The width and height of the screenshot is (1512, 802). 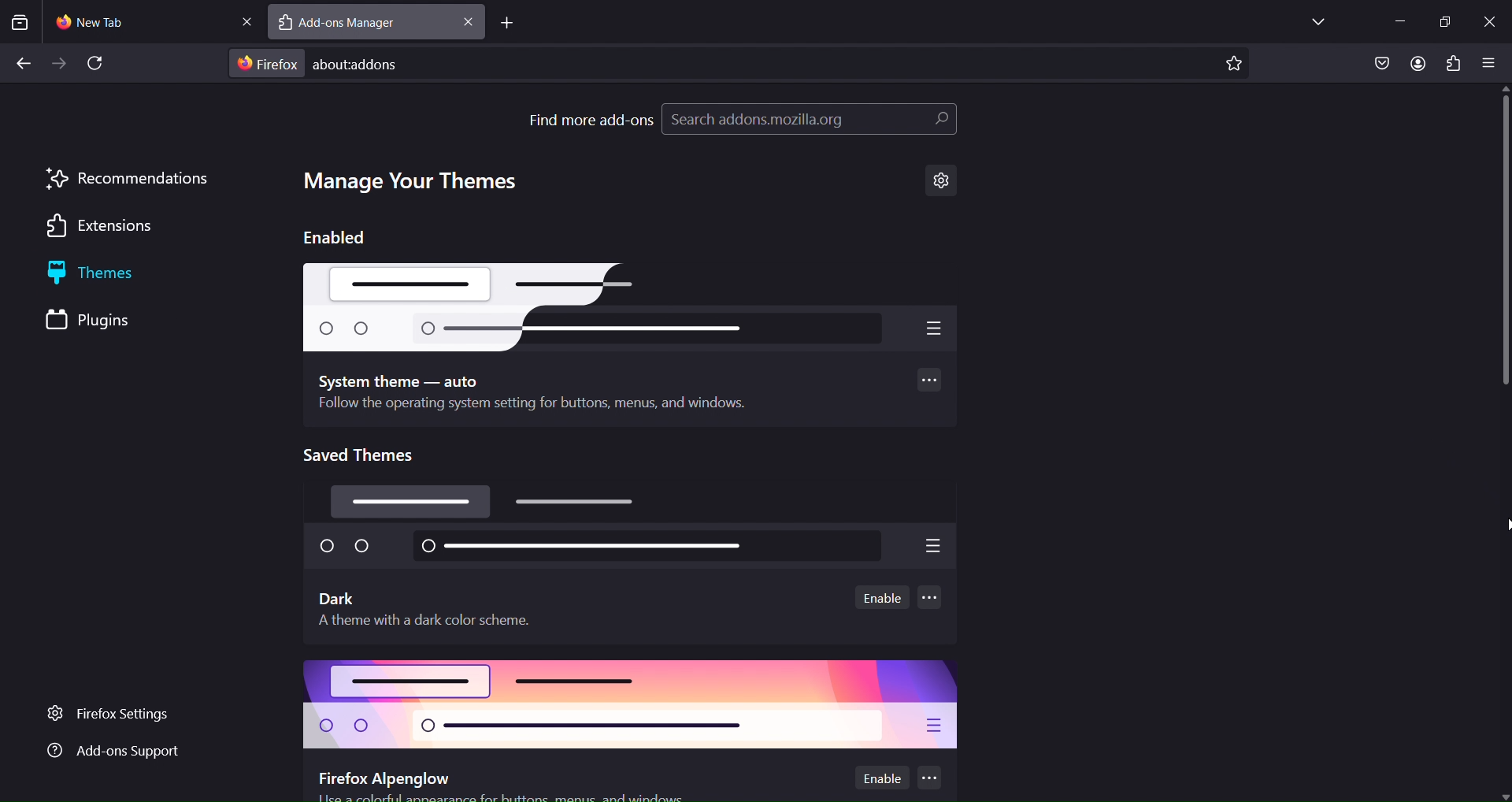 I want to click on cursor, so click(x=1503, y=526).